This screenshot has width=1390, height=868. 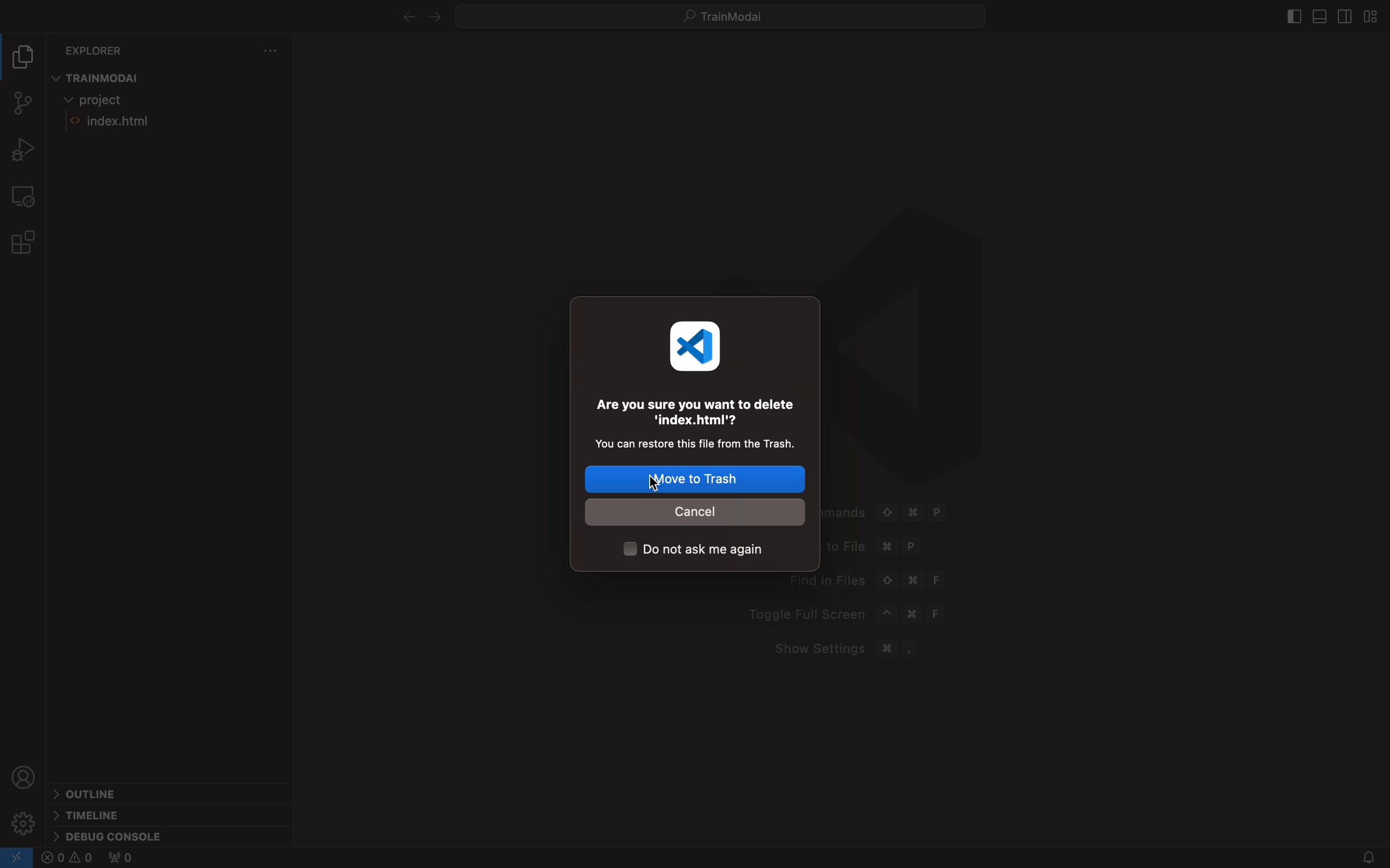 I want to click on SHow All, so click(x=909, y=515).